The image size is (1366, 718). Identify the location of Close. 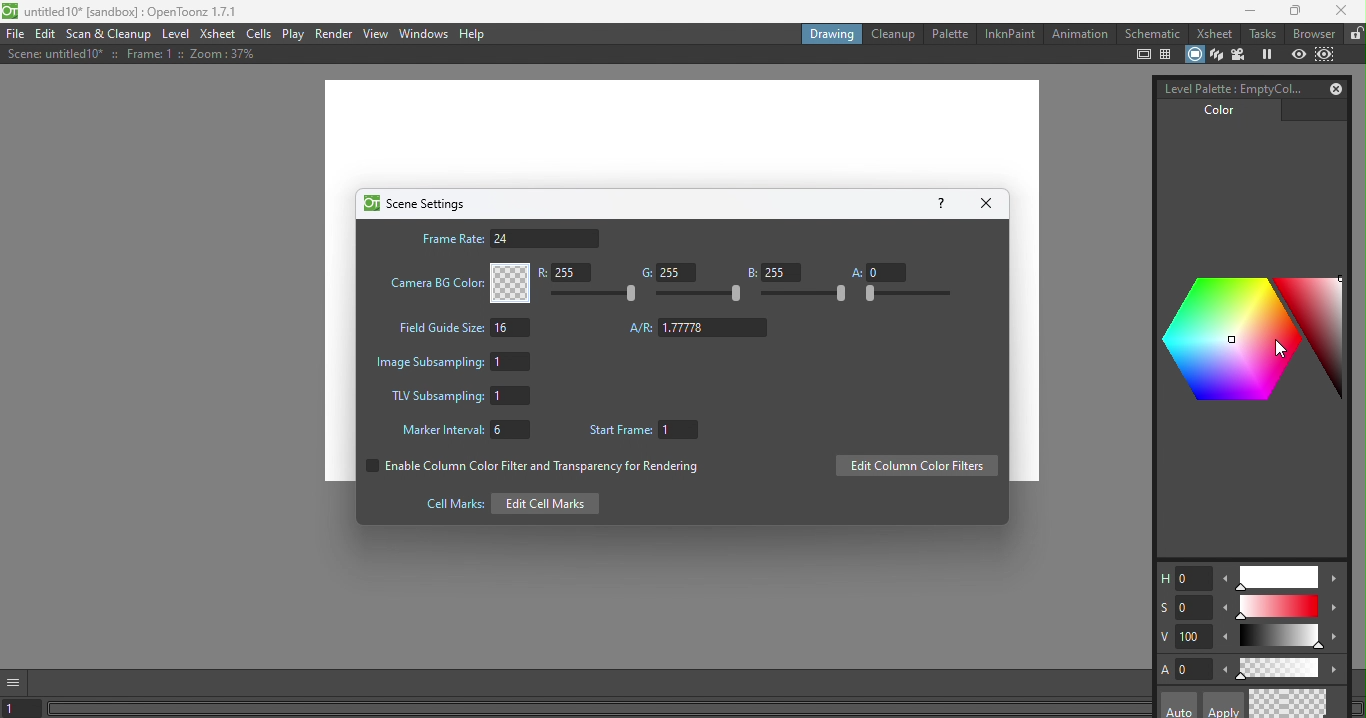
(990, 202).